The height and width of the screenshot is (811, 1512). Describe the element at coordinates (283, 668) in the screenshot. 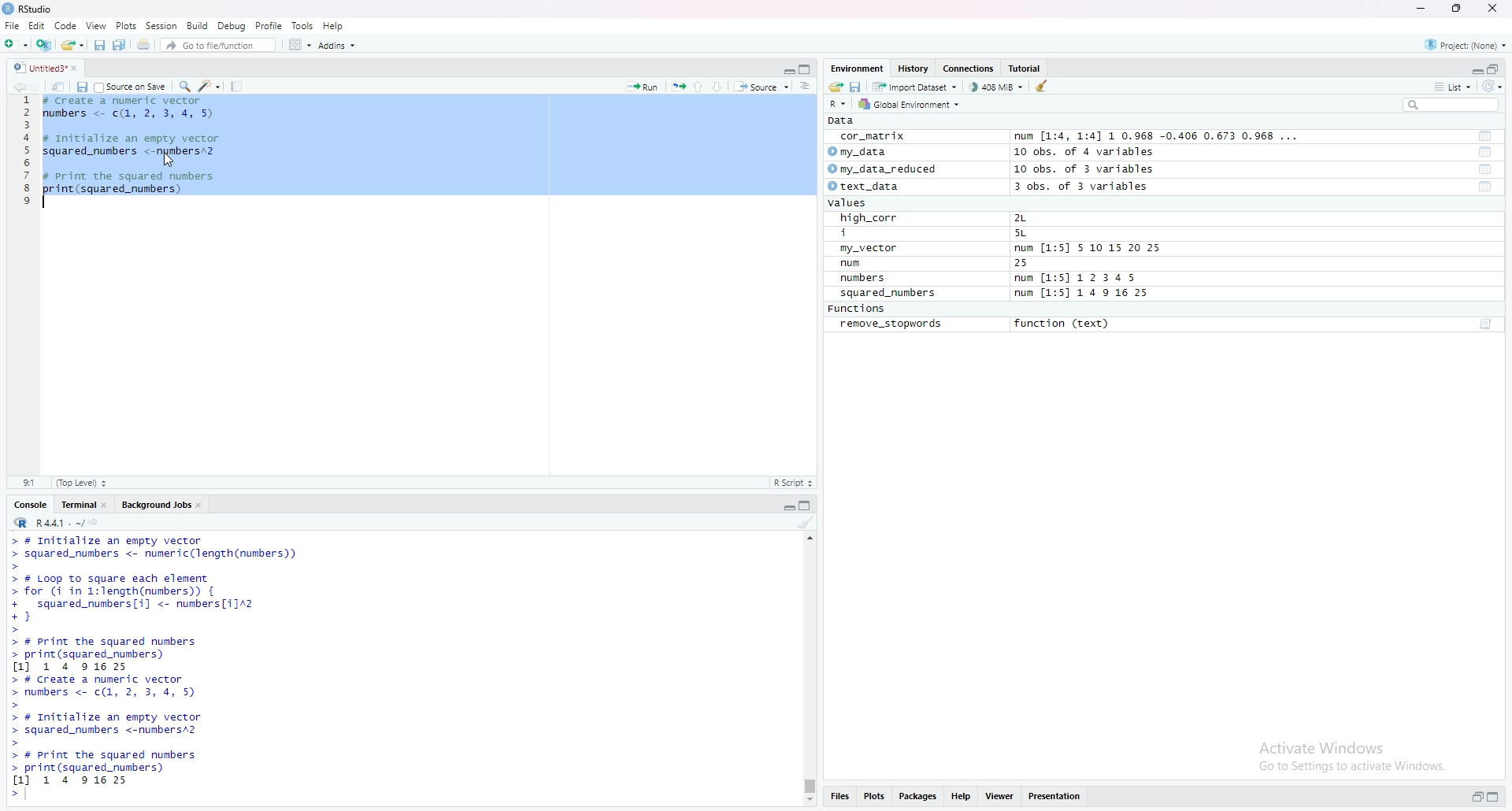

I see `> # print the cleaned dataset> print(text_data)™ Text Cleaned_Text11 This is an example of text processing in R This example text processing R2 2 stop words should be removed from this dataset stop words removed dataset3 3 ve need to clean and analyze this text data We need clean analyze text data> # Create a numeric vector> numbers <- c(1, 2, 3, 4, 5)> # Initialize an empty vector> squared_numbers <- numer ic(length(numbers))> # Loop To square each element> for (i in 1:length(numbers)) {+ squared_numbers[i] <- nunbers[i12+}> # print the squared numbers> print(squared_numbers)1] 1 4 9 16 25 >` at that location.